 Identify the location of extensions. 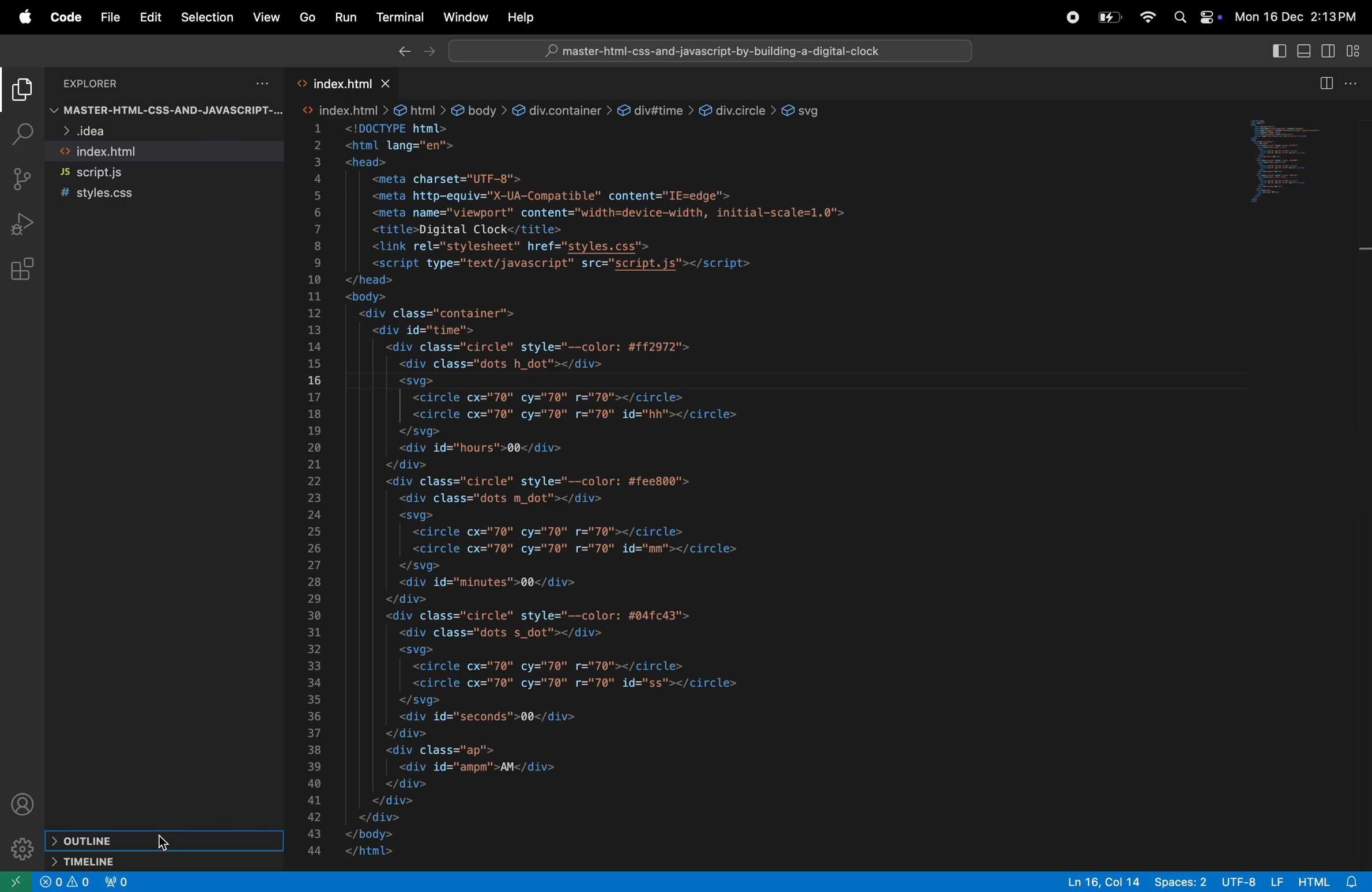
(25, 267).